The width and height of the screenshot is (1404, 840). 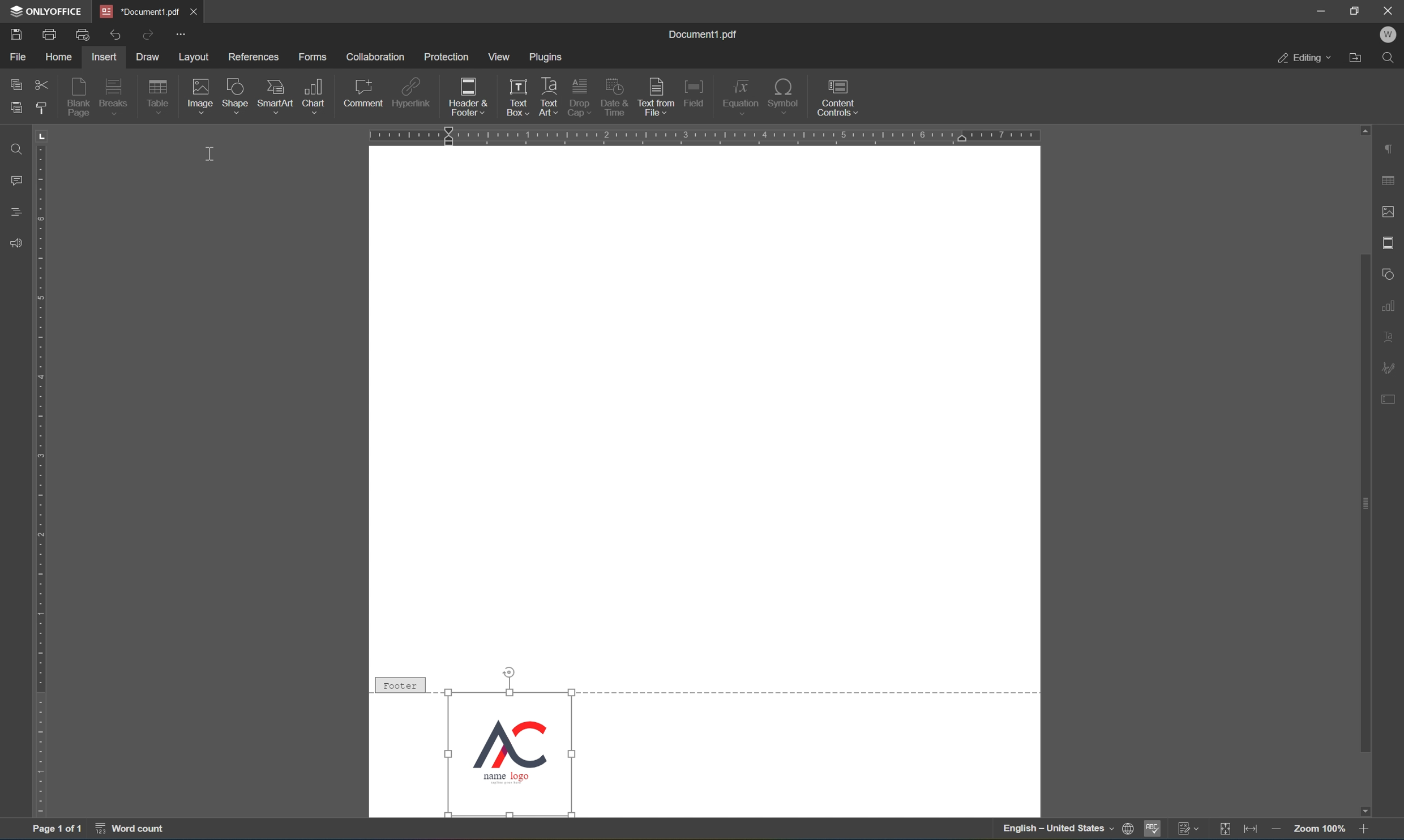 I want to click on shape, so click(x=236, y=96).